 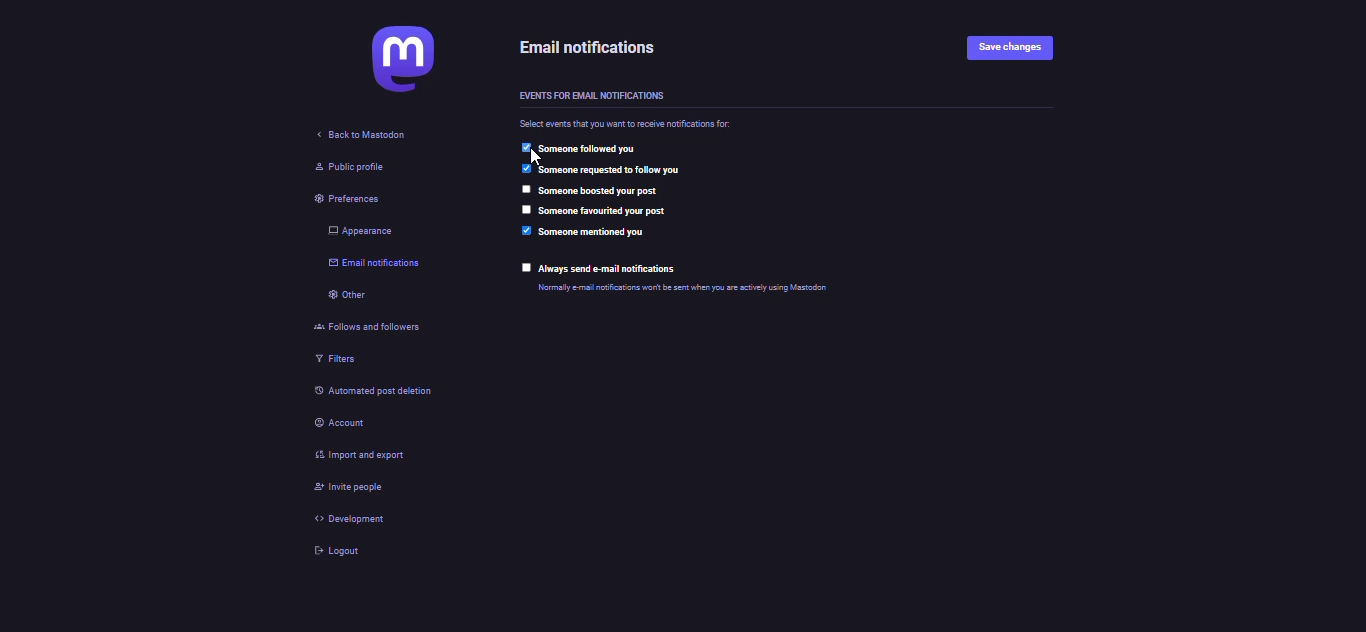 I want to click on events, so click(x=590, y=95).